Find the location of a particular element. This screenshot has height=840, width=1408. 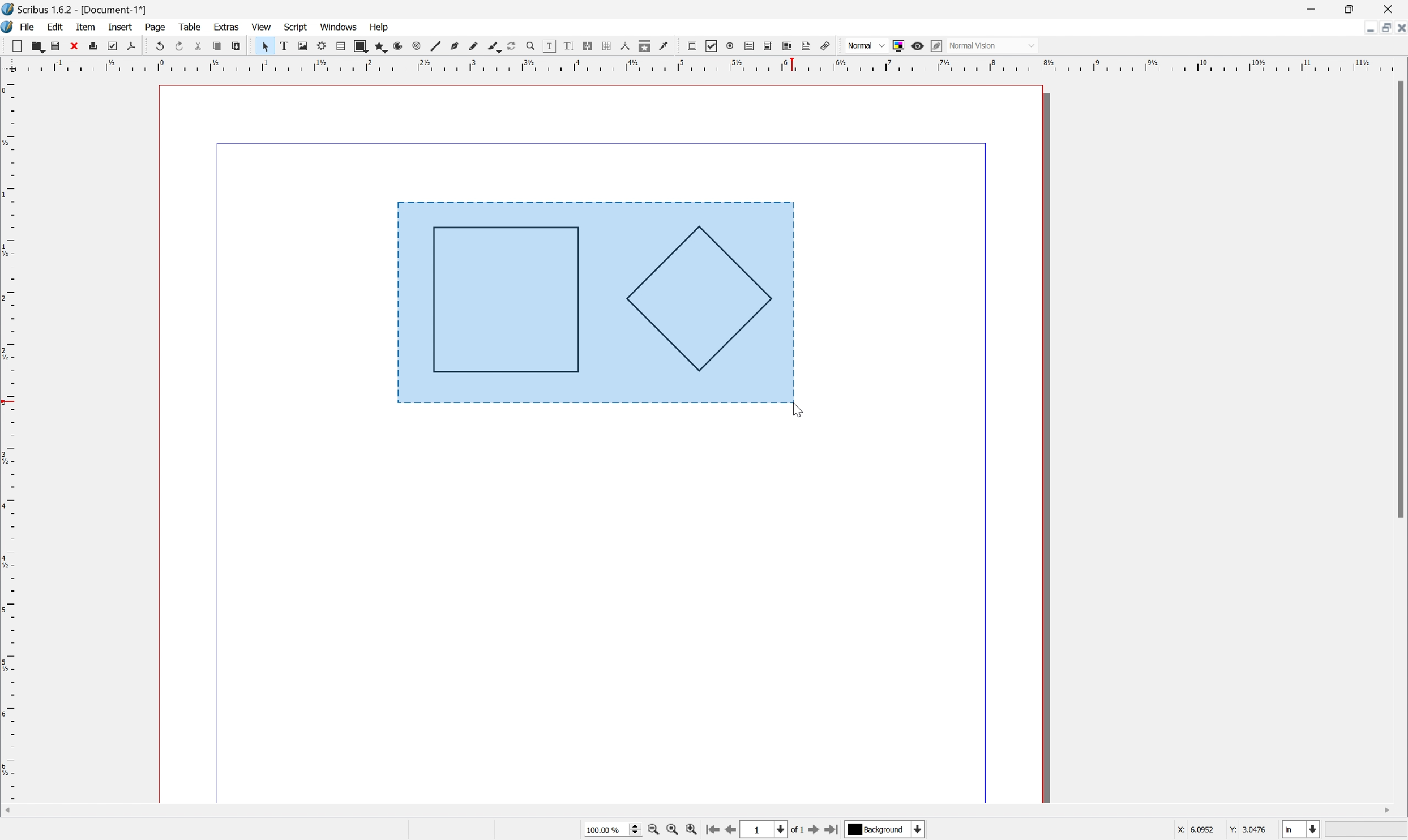

copy item properties is located at coordinates (643, 44).